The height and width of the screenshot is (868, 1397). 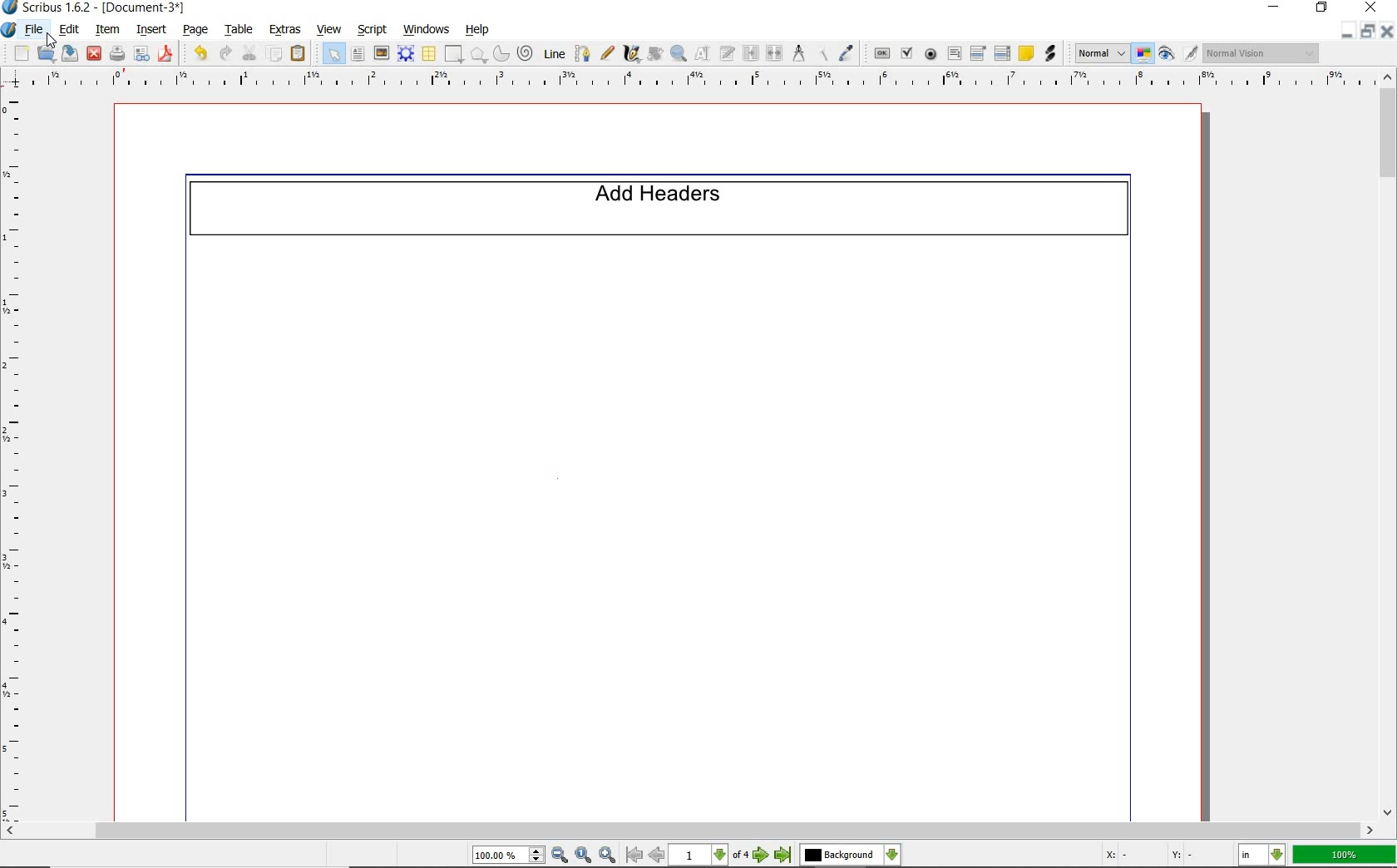 What do you see at coordinates (932, 54) in the screenshot?
I see `pdf radio button` at bounding box center [932, 54].